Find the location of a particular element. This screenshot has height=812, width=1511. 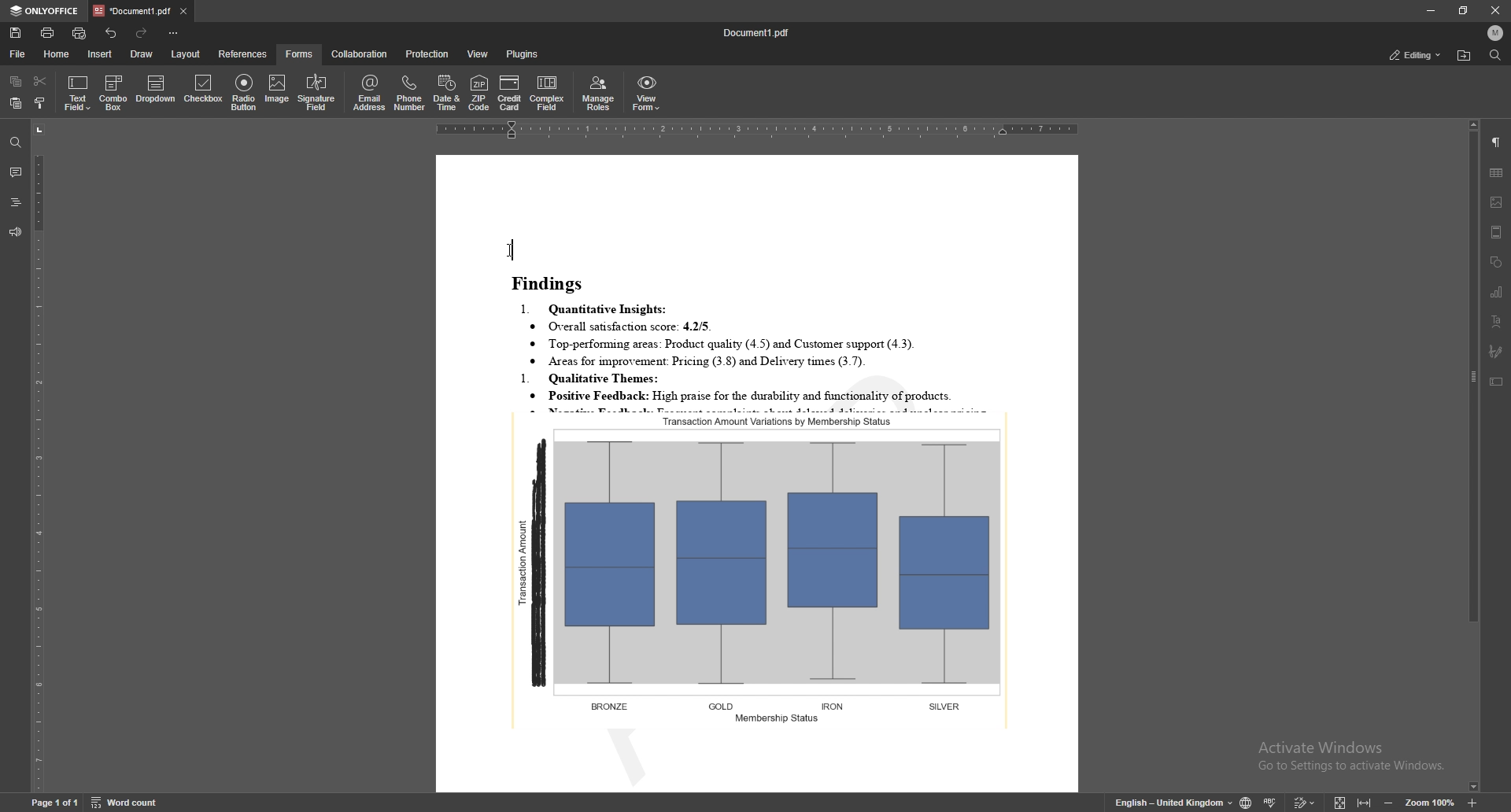

* Positive Feedback: High praise for the durability and functionality of products. is located at coordinates (767, 397).